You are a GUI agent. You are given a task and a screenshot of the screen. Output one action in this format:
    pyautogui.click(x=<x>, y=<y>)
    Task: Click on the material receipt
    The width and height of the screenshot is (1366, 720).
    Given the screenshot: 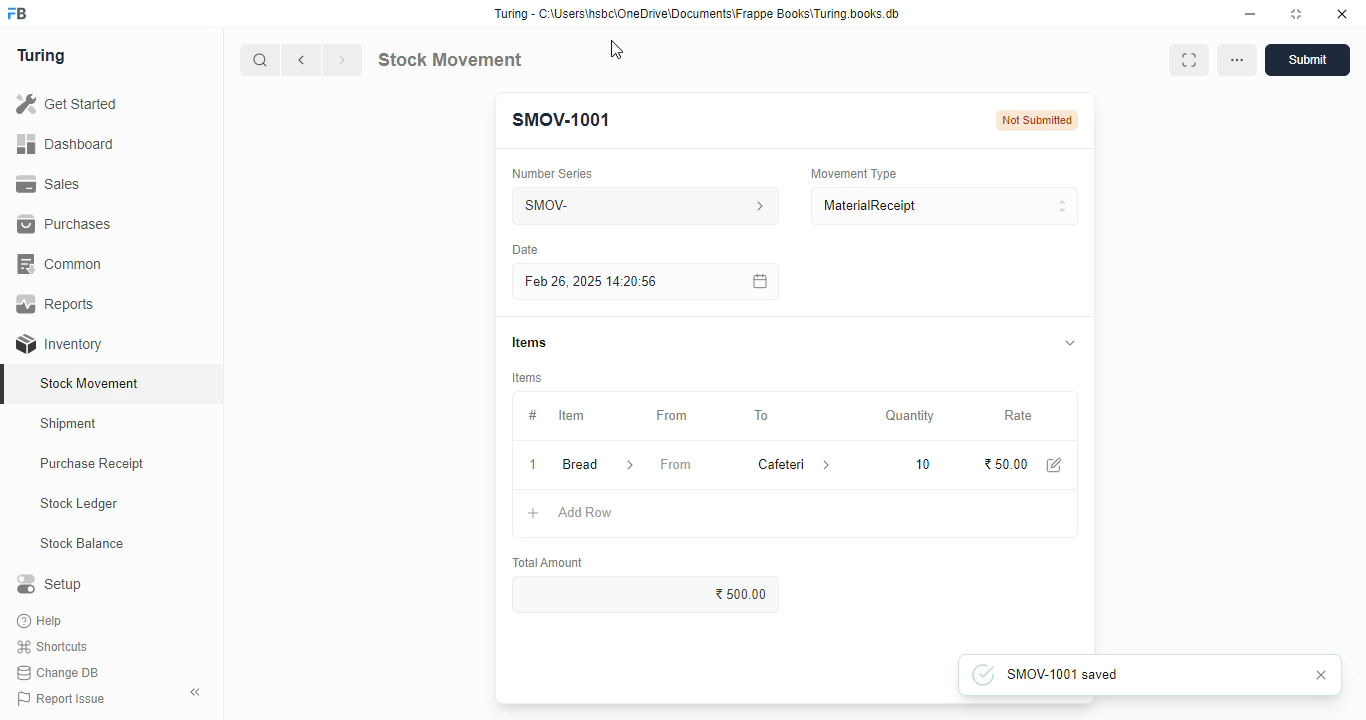 What is the action you would take?
    pyautogui.click(x=944, y=206)
    